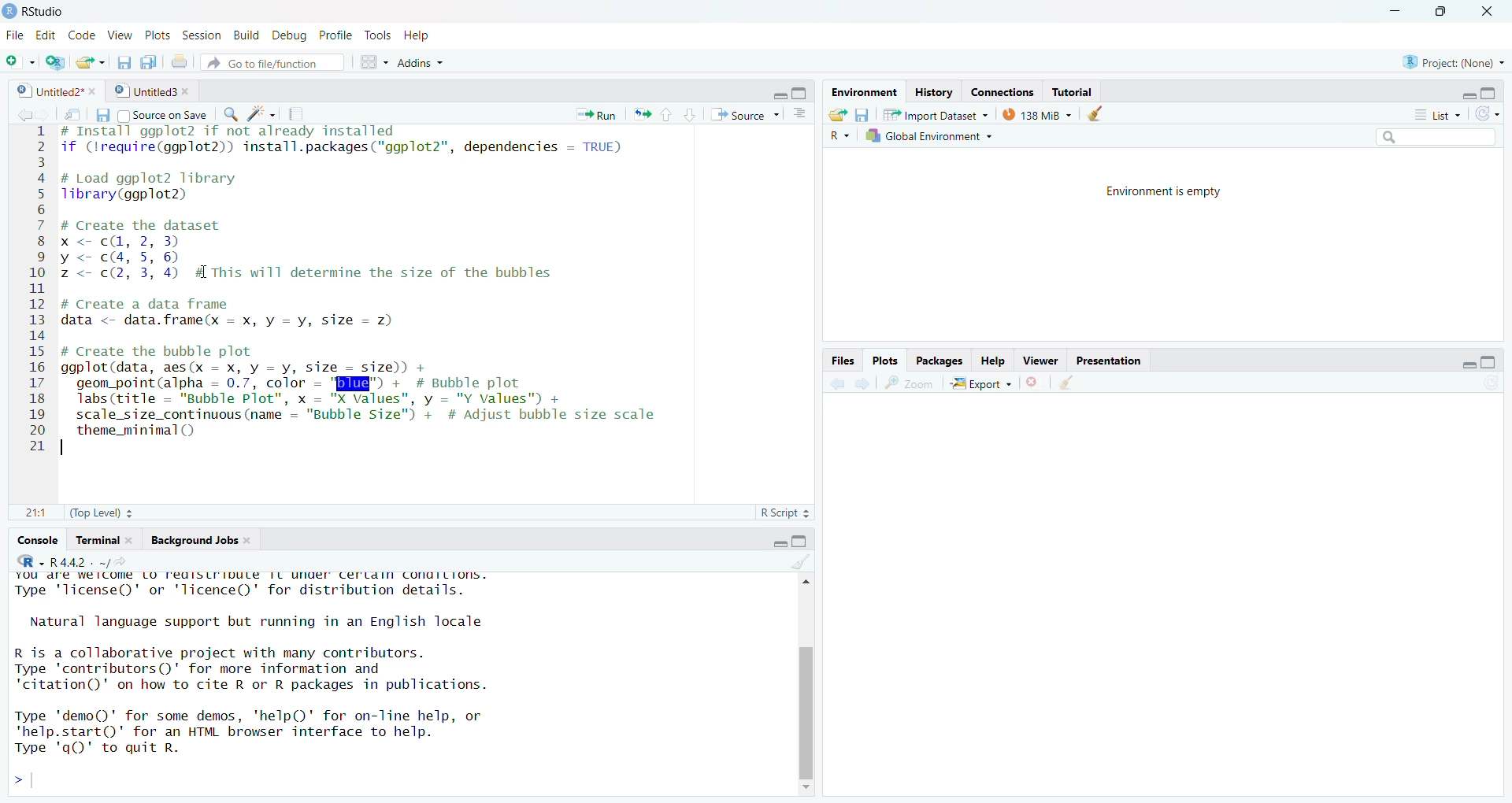  I want to click on Files, so click(842, 359).